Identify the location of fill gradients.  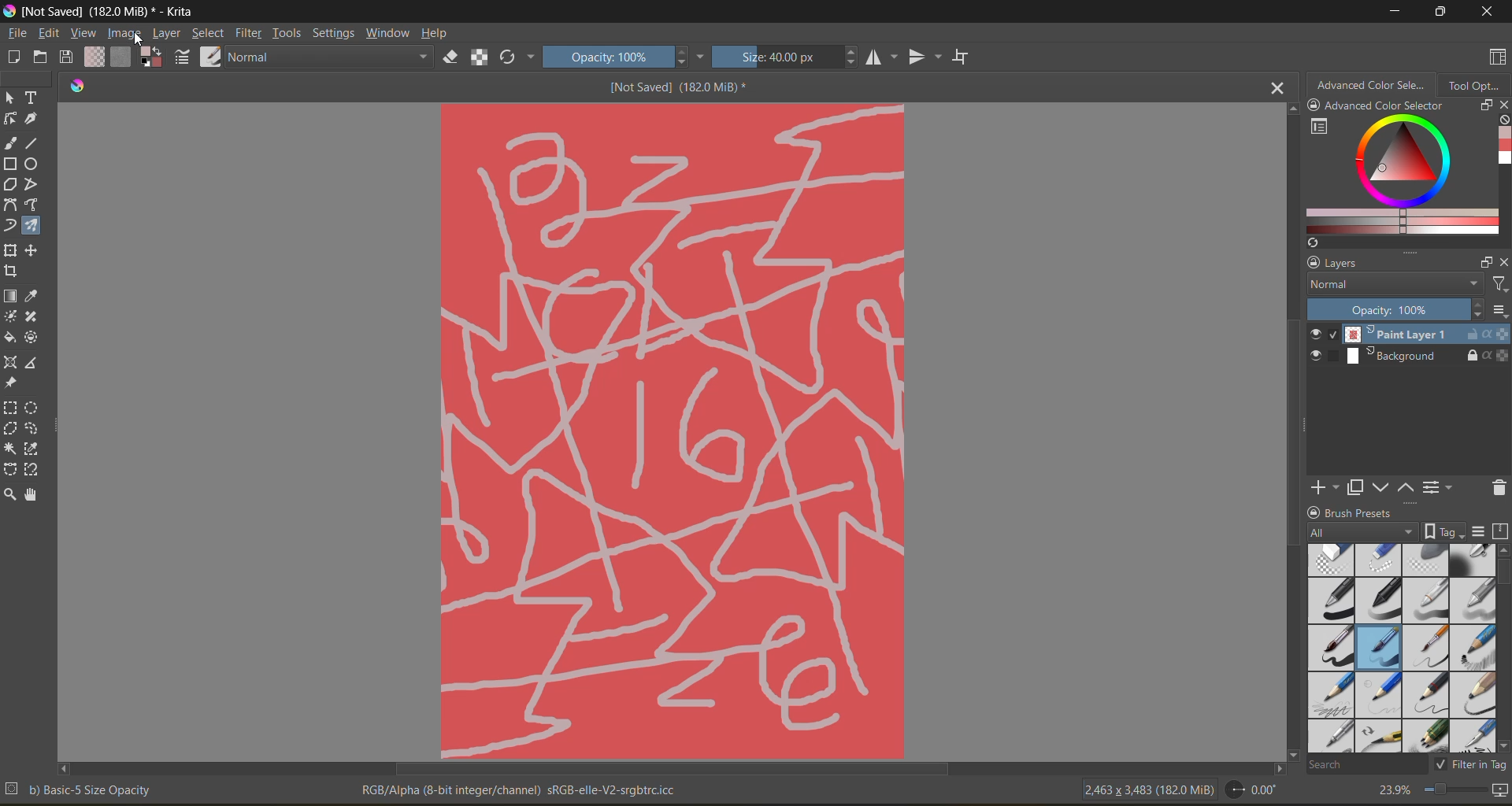
(98, 57).